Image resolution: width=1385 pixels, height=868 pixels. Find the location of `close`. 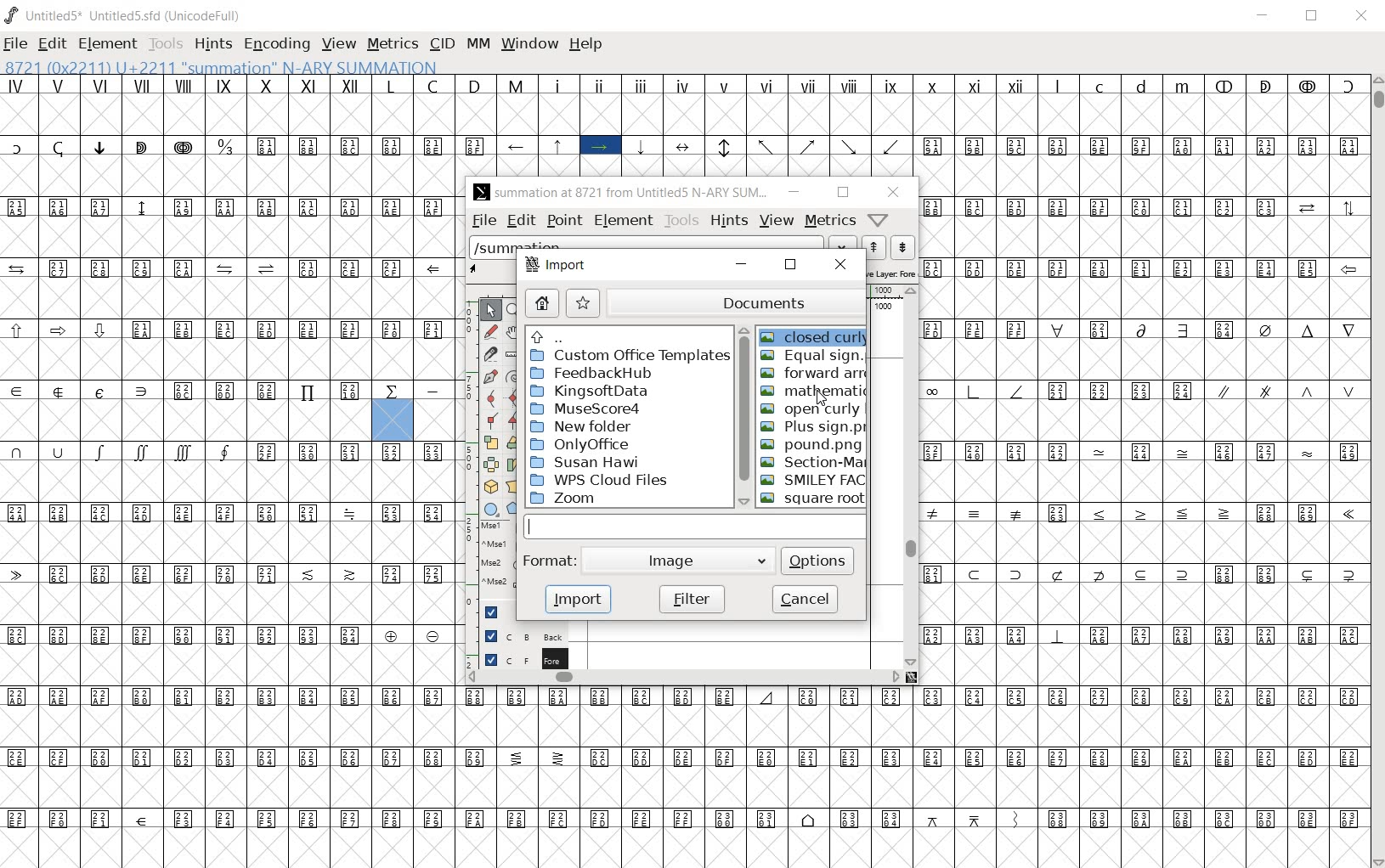

close is located at coordinates (839, 270).